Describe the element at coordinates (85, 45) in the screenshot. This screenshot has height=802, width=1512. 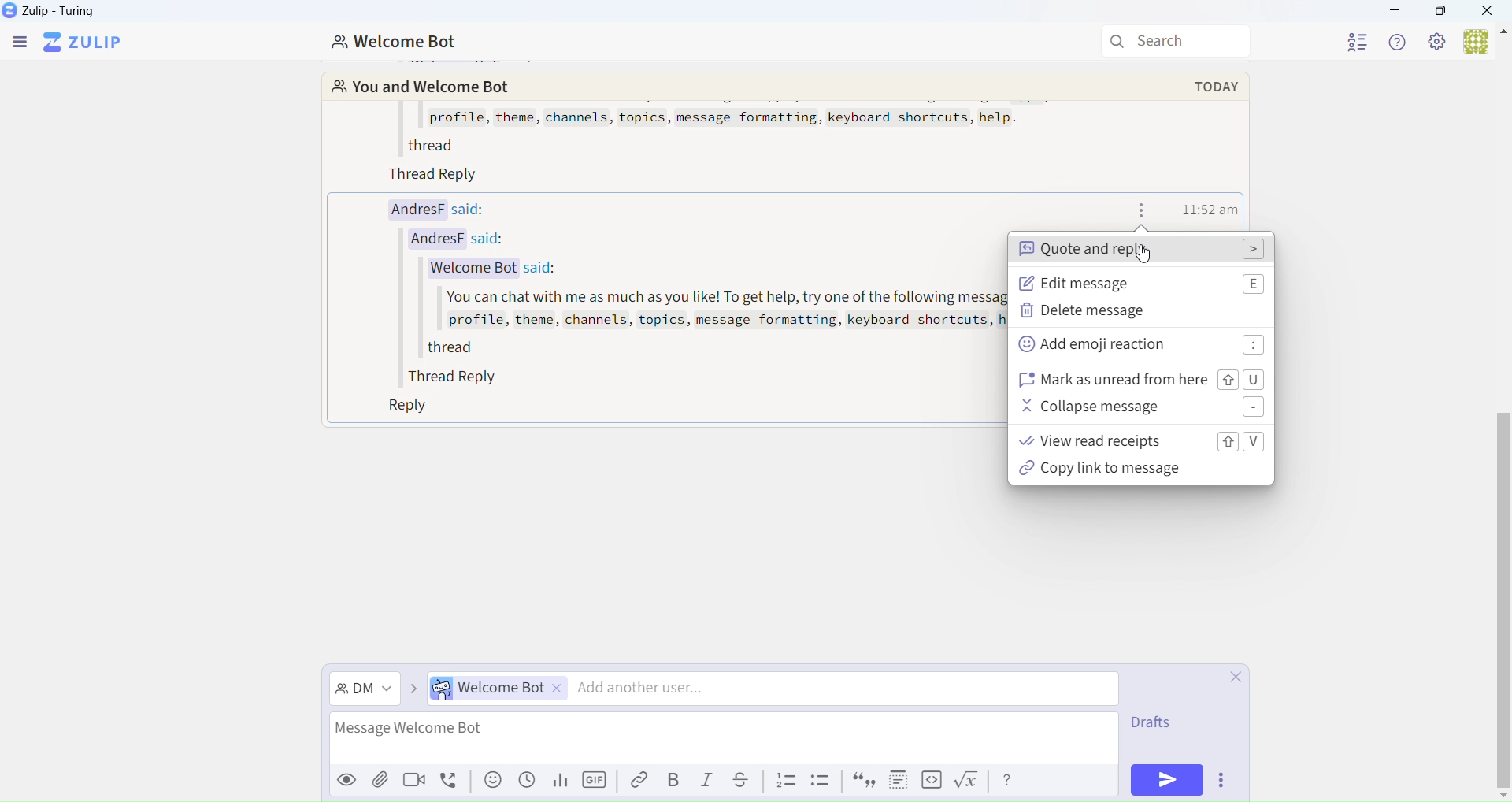
I see `Zulip` at that location.